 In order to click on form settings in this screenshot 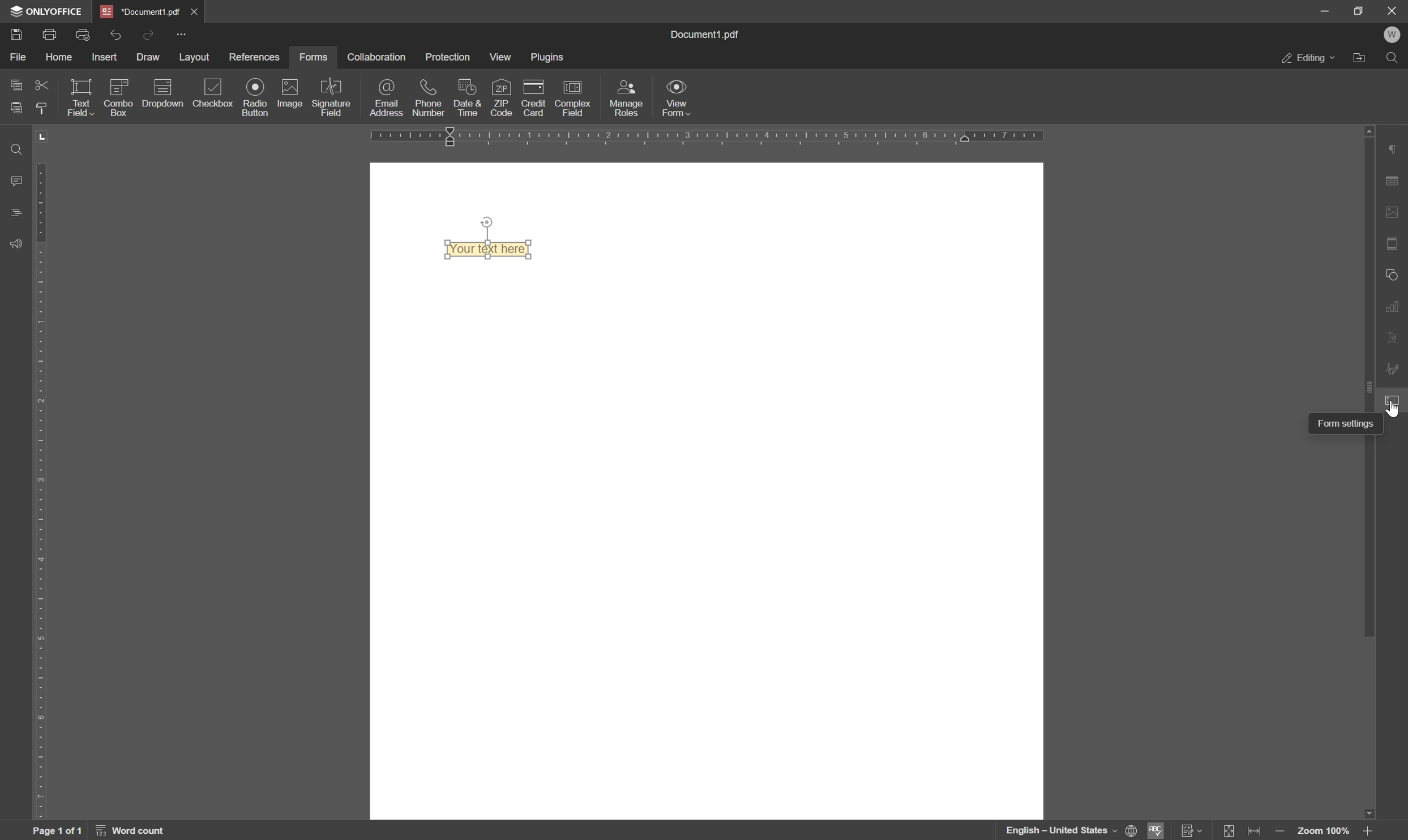, I will do `click(1396, 402)`.